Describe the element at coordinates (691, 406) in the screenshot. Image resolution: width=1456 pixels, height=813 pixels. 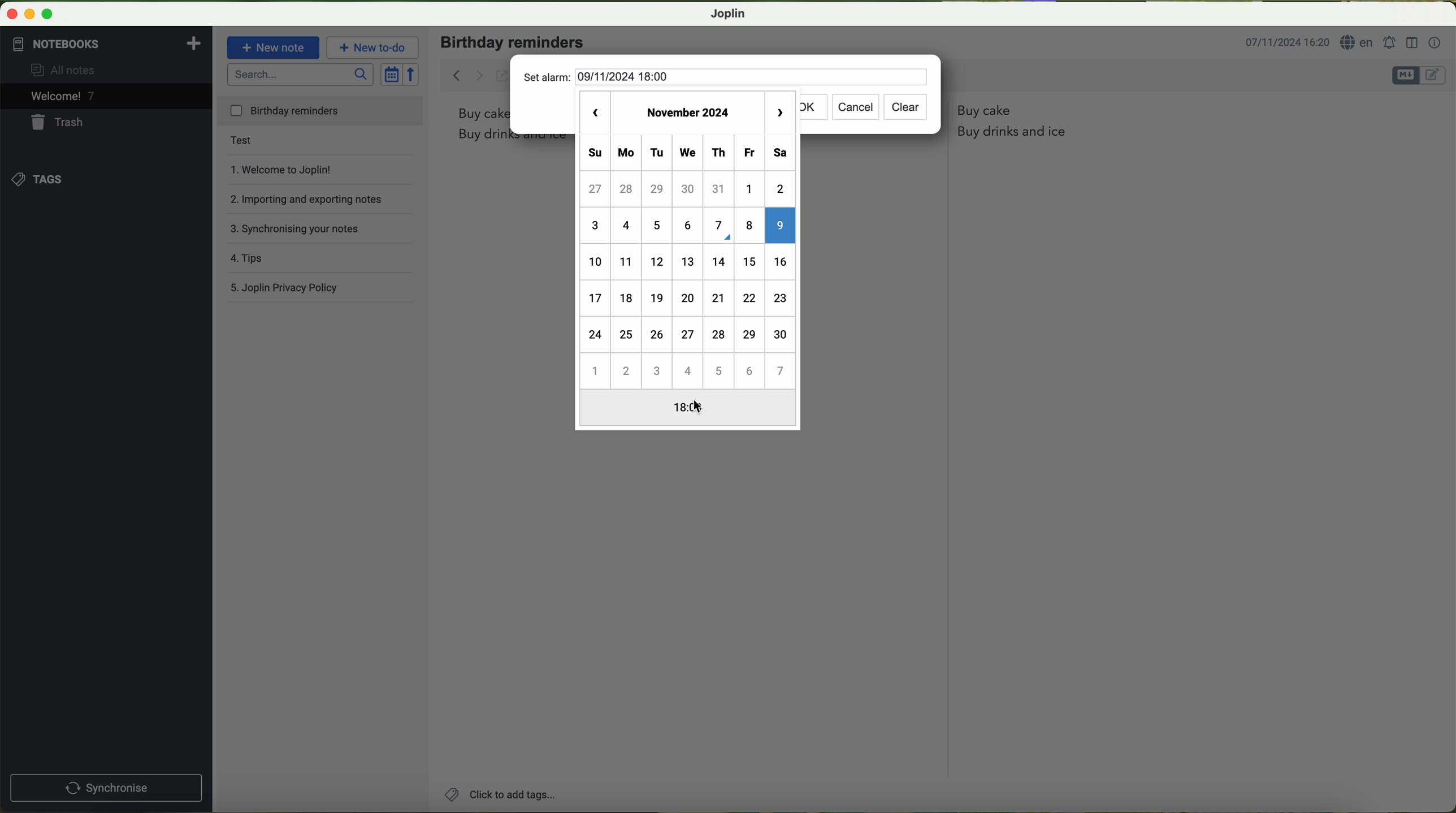
I see `cursor` at that location.